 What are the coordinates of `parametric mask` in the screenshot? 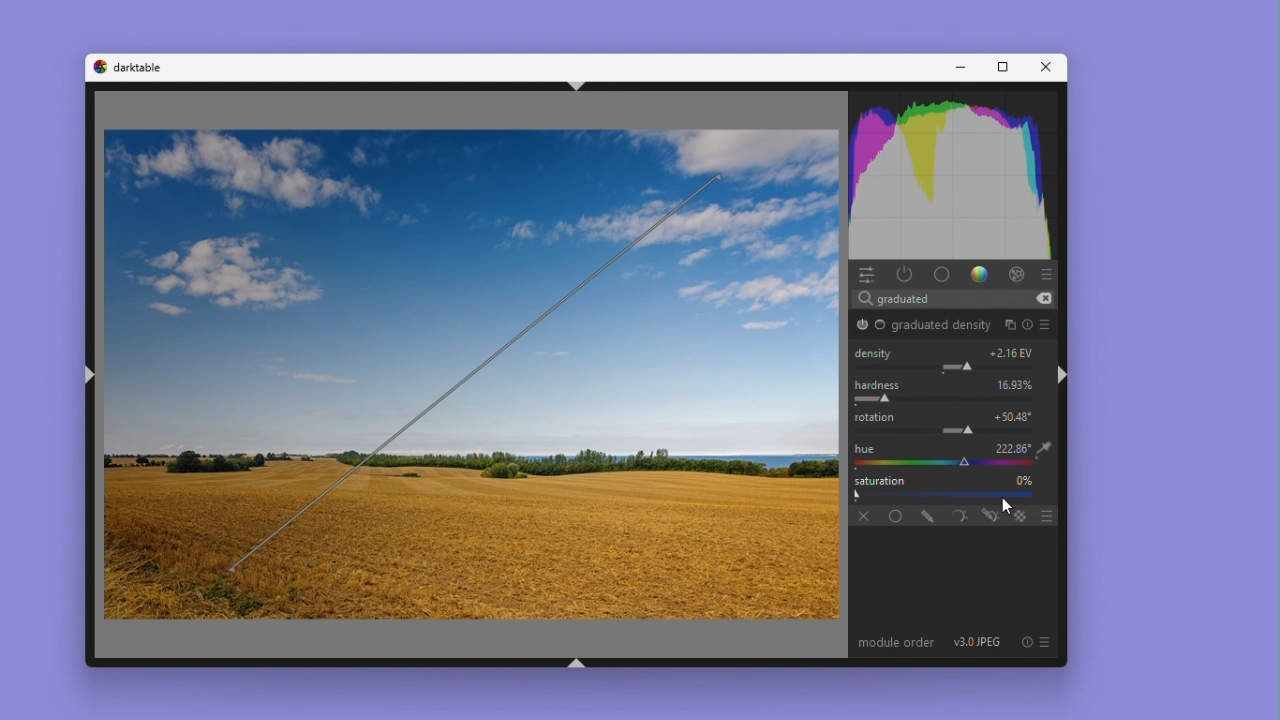 It's located at (956, 513).